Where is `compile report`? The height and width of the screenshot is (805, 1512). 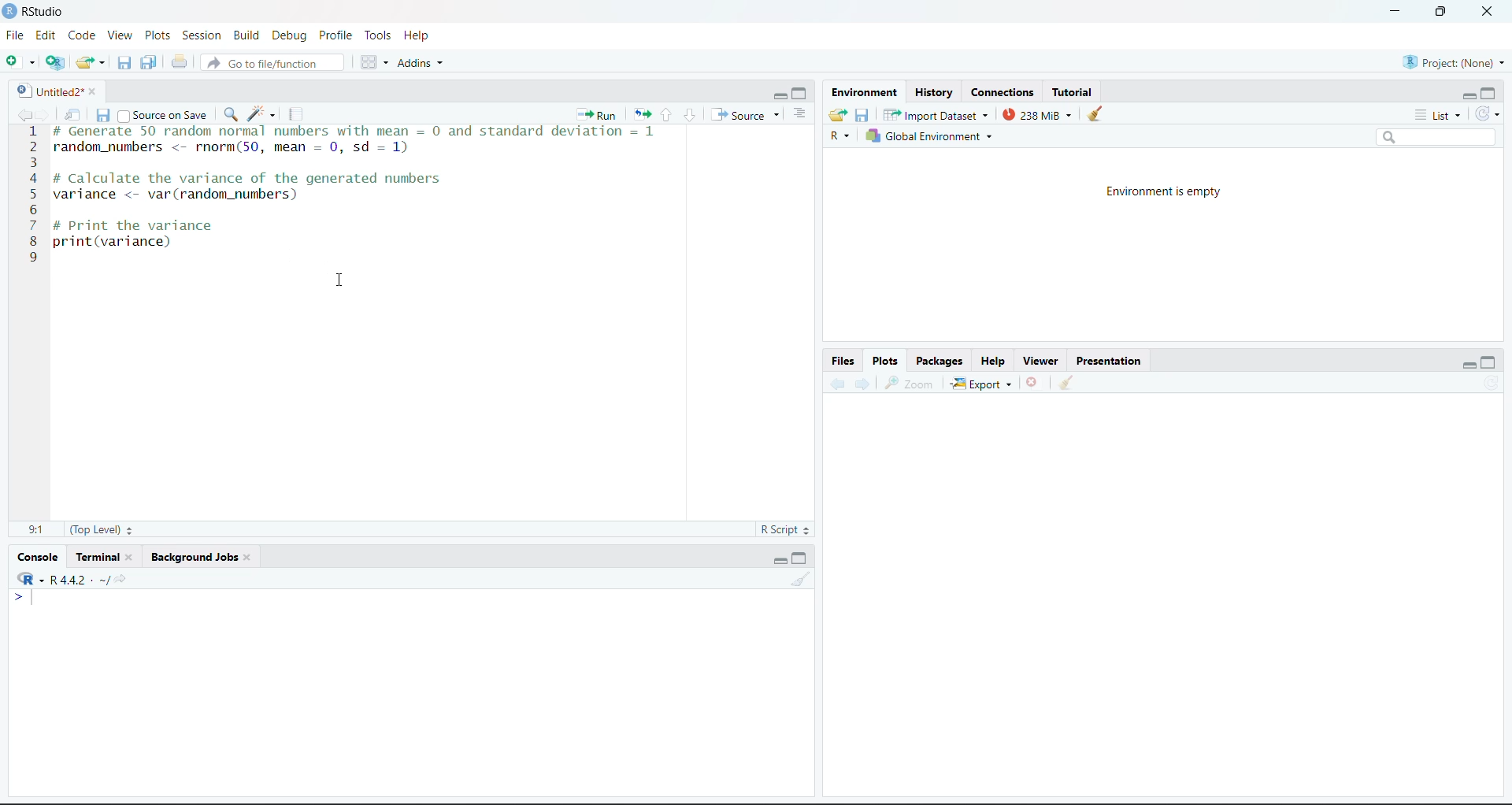
compile report is located at coordinates (296, 114).